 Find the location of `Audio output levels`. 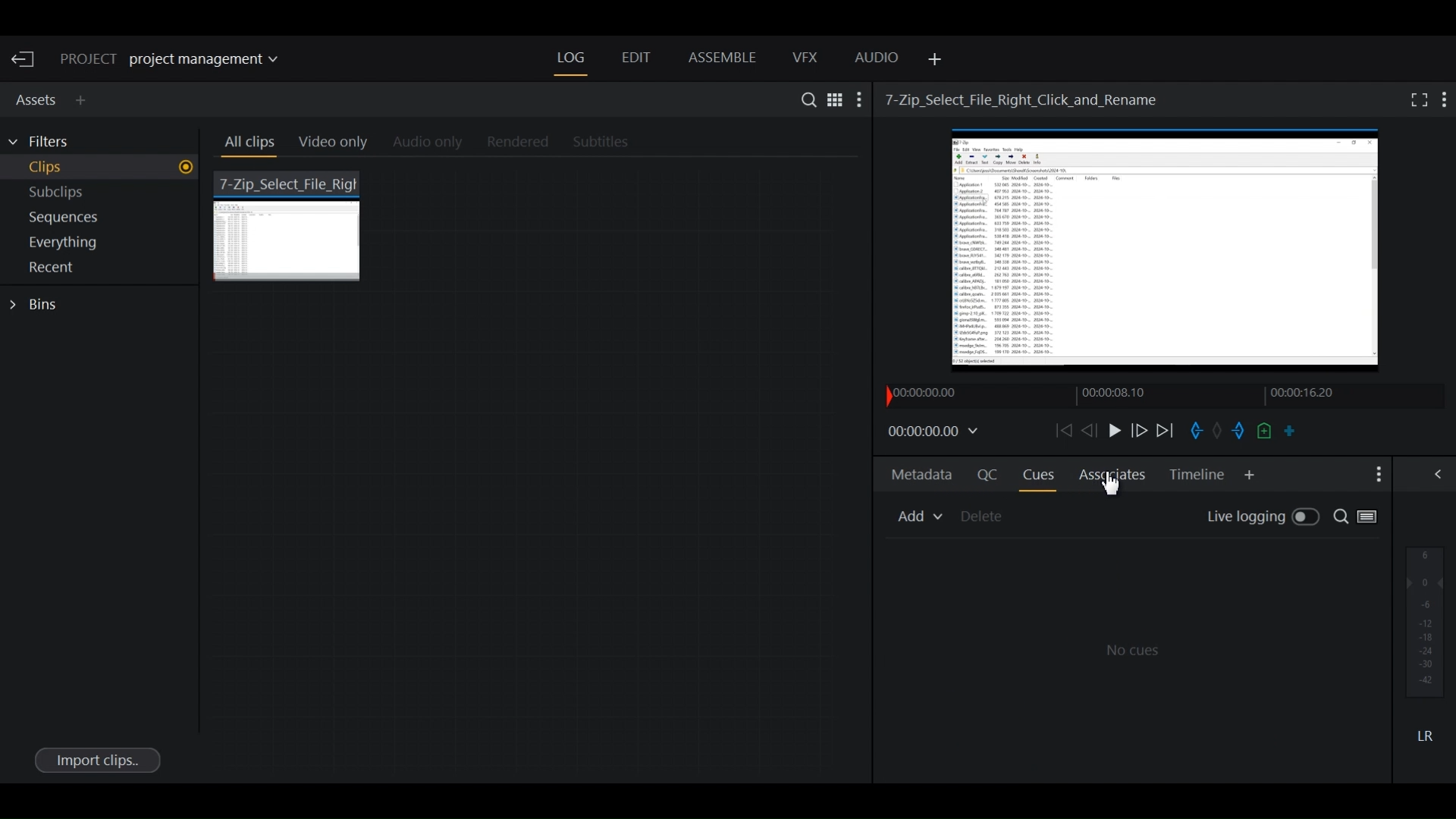

Audio output levels is located at coordinates (1425, 621).